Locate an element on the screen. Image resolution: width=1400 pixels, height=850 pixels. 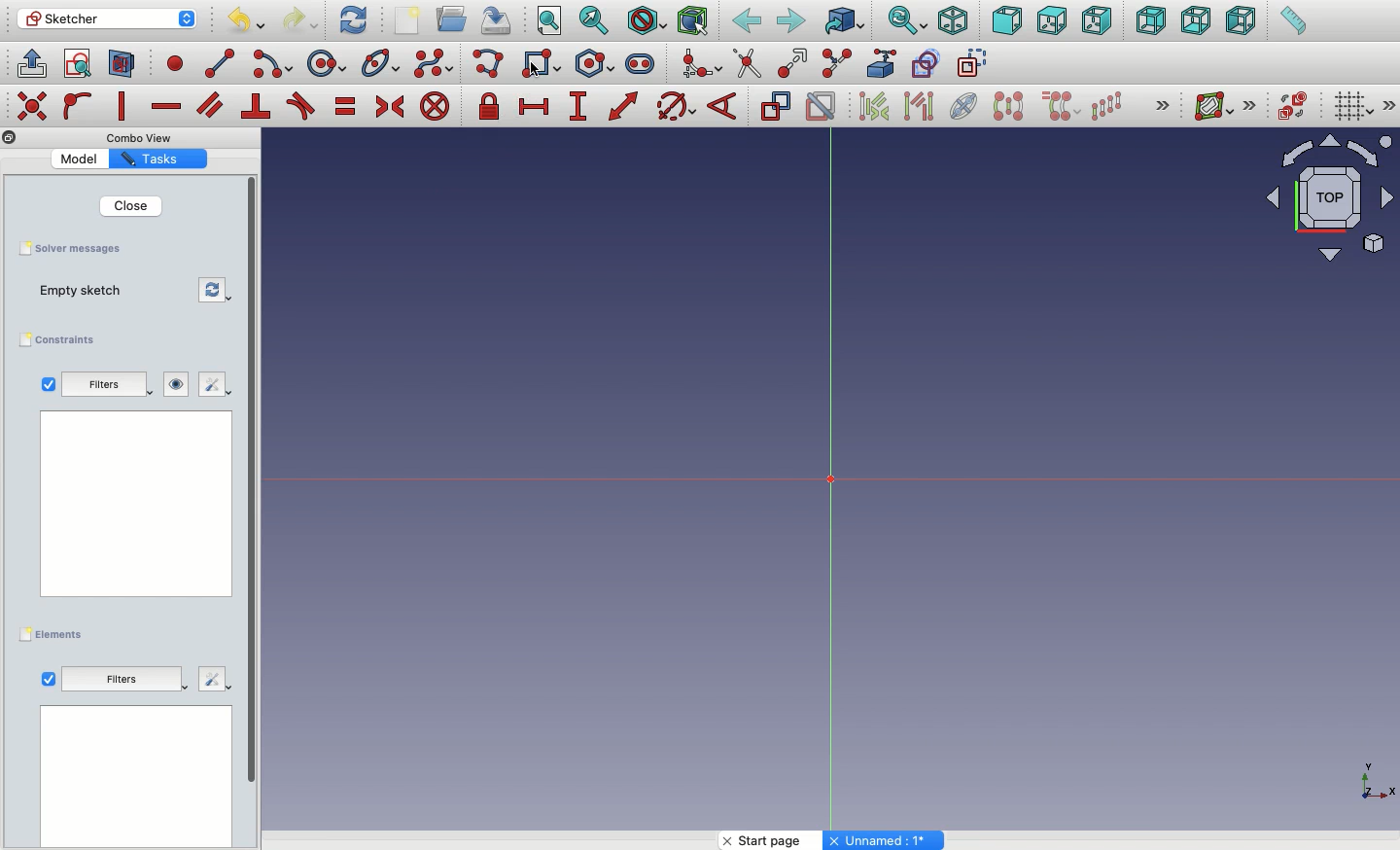
Back is located at coordinates (748, 21).